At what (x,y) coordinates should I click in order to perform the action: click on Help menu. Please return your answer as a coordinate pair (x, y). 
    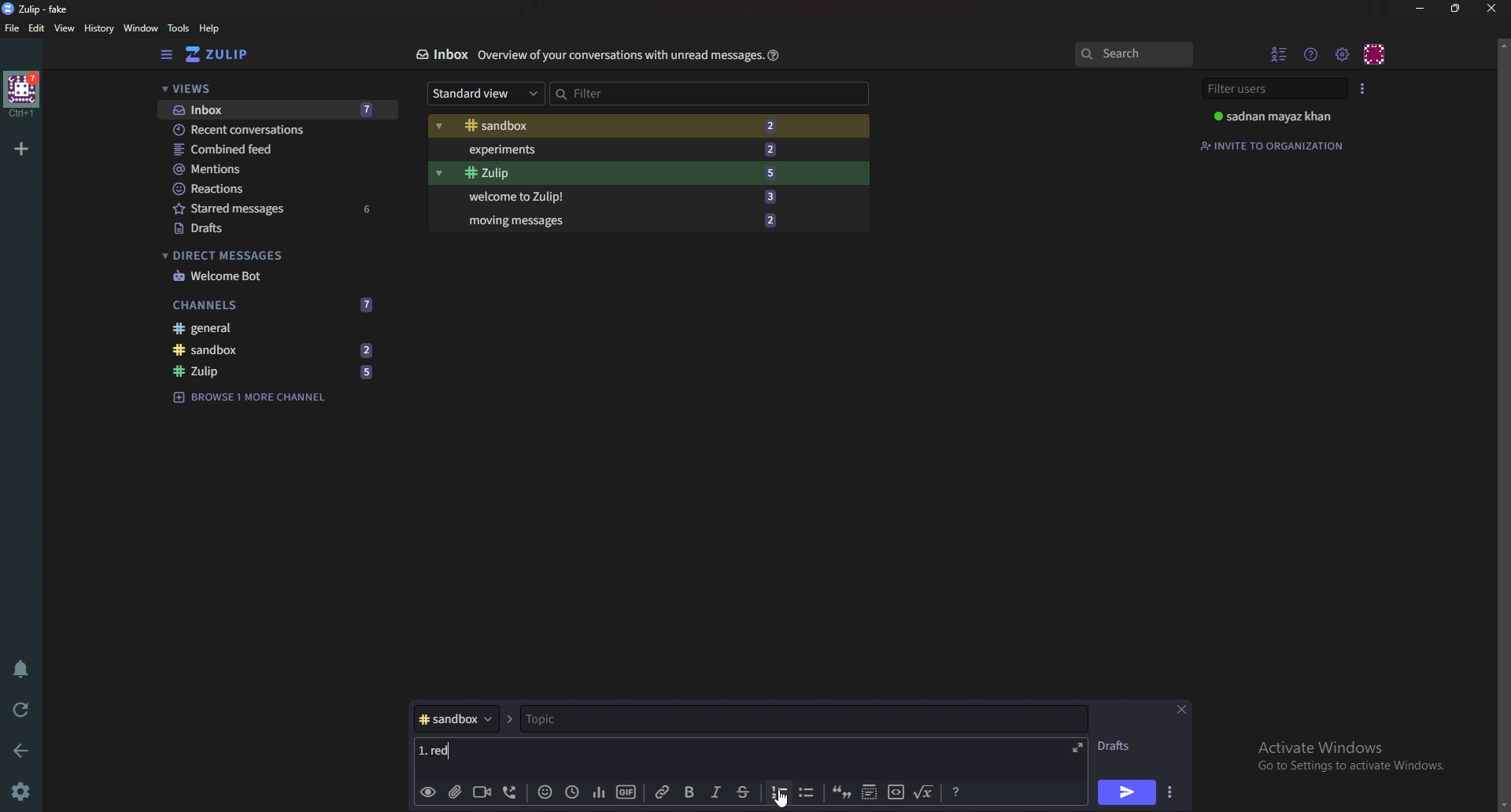
    Looking at the image, I should click on (1313, 54).